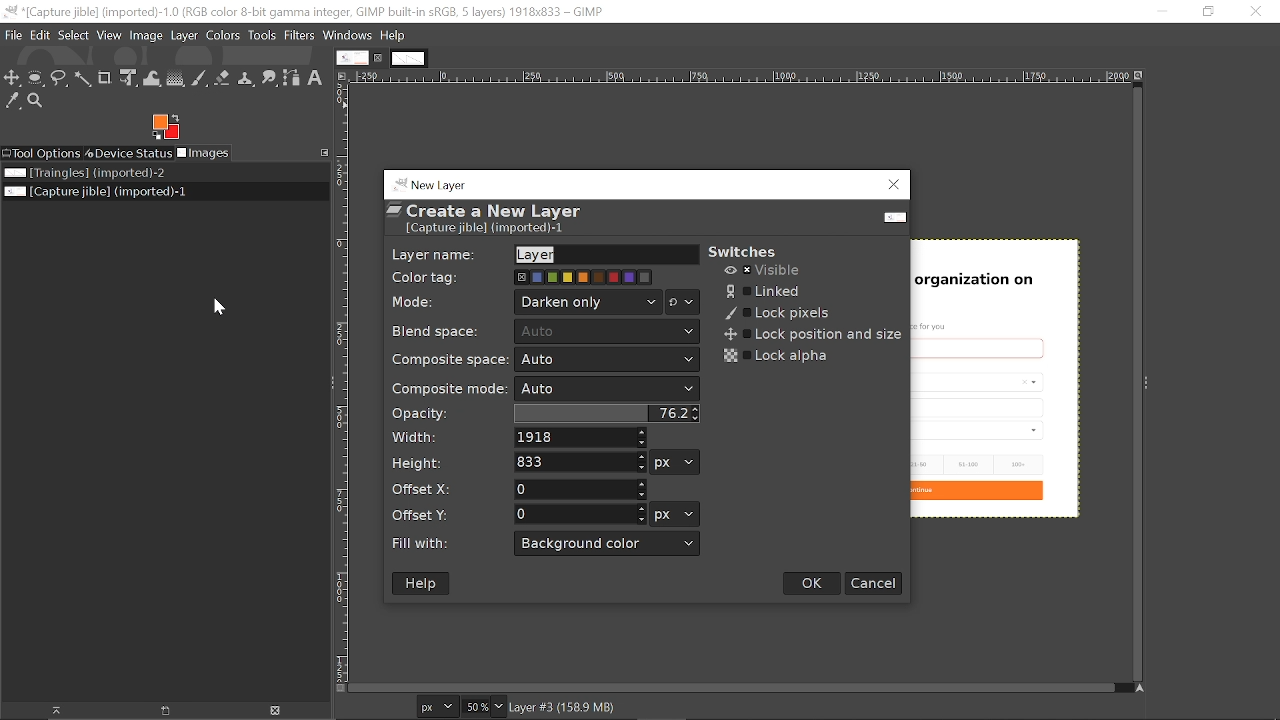  Describe the element at coordinates (323, 151) in the screenshot. I see `Configure this tab` at that location.